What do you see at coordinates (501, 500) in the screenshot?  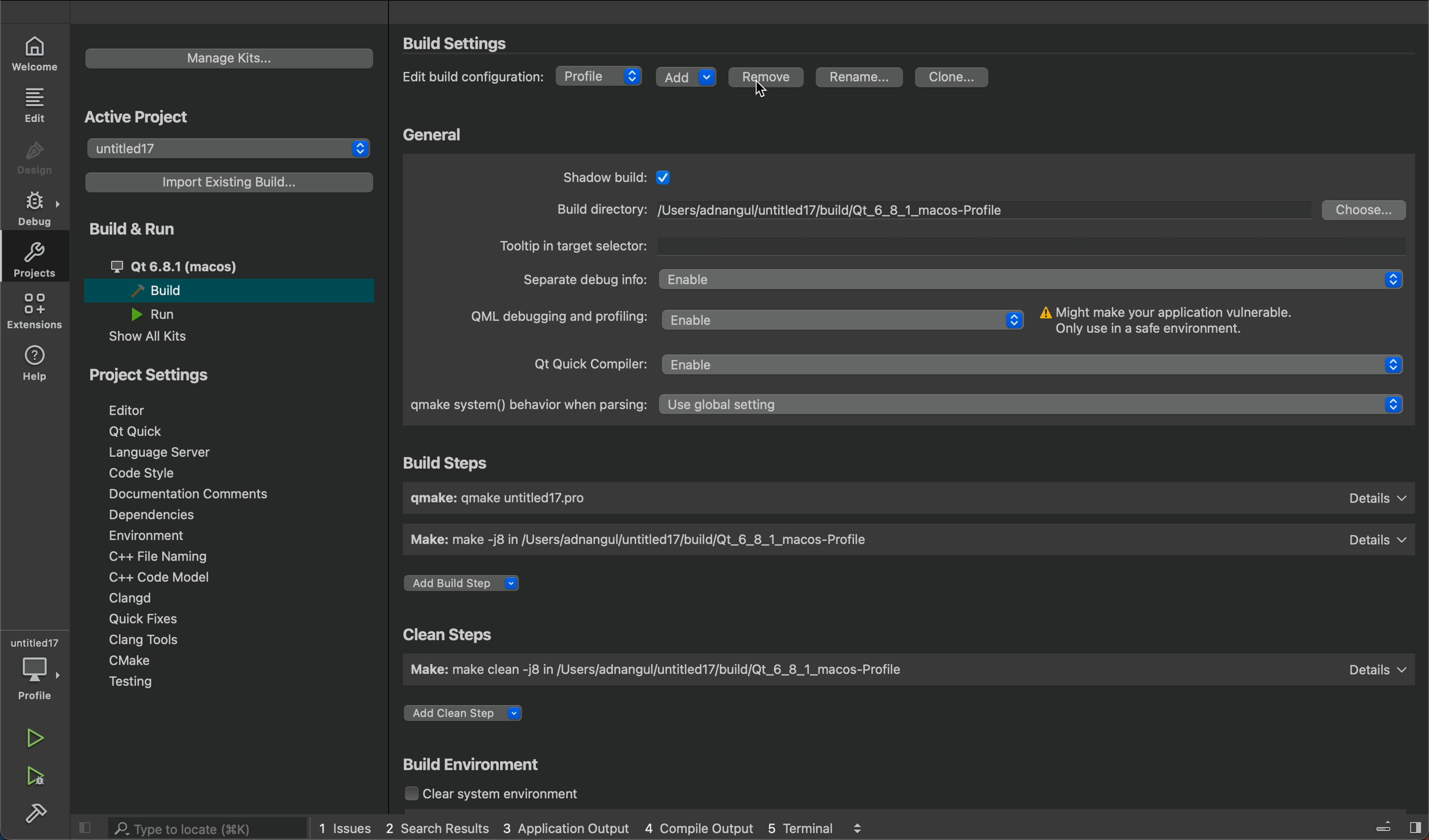 I see `build name` at bounding box center [501, 500].